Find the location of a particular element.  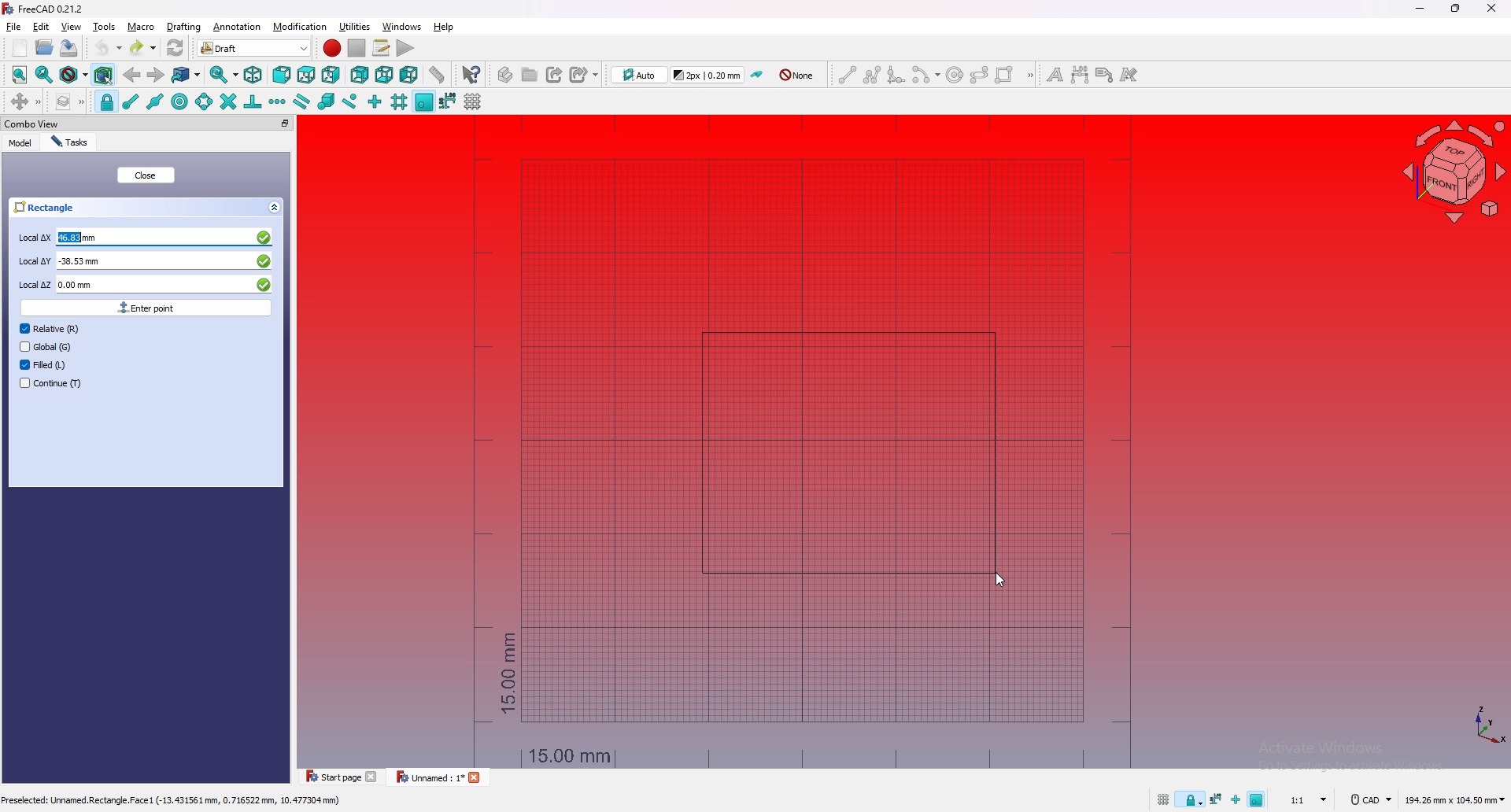

measure distance is located at coordinates (437, 74).